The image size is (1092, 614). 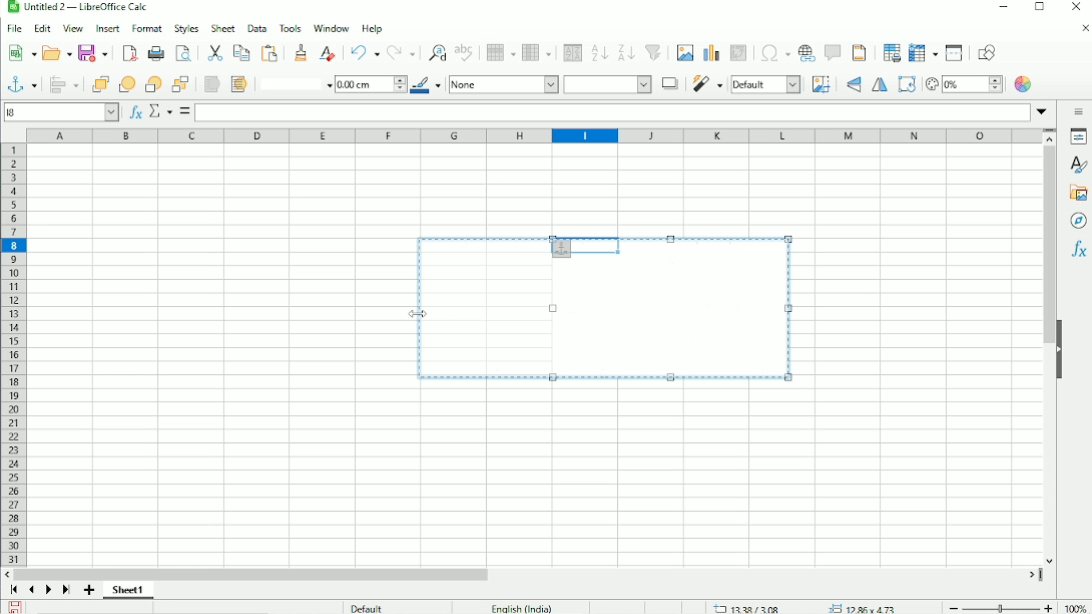 What do you see at coordinates (1045, 111) in the screenshot?
I see `Expand formula bar` at bounding box center [1045, 111].